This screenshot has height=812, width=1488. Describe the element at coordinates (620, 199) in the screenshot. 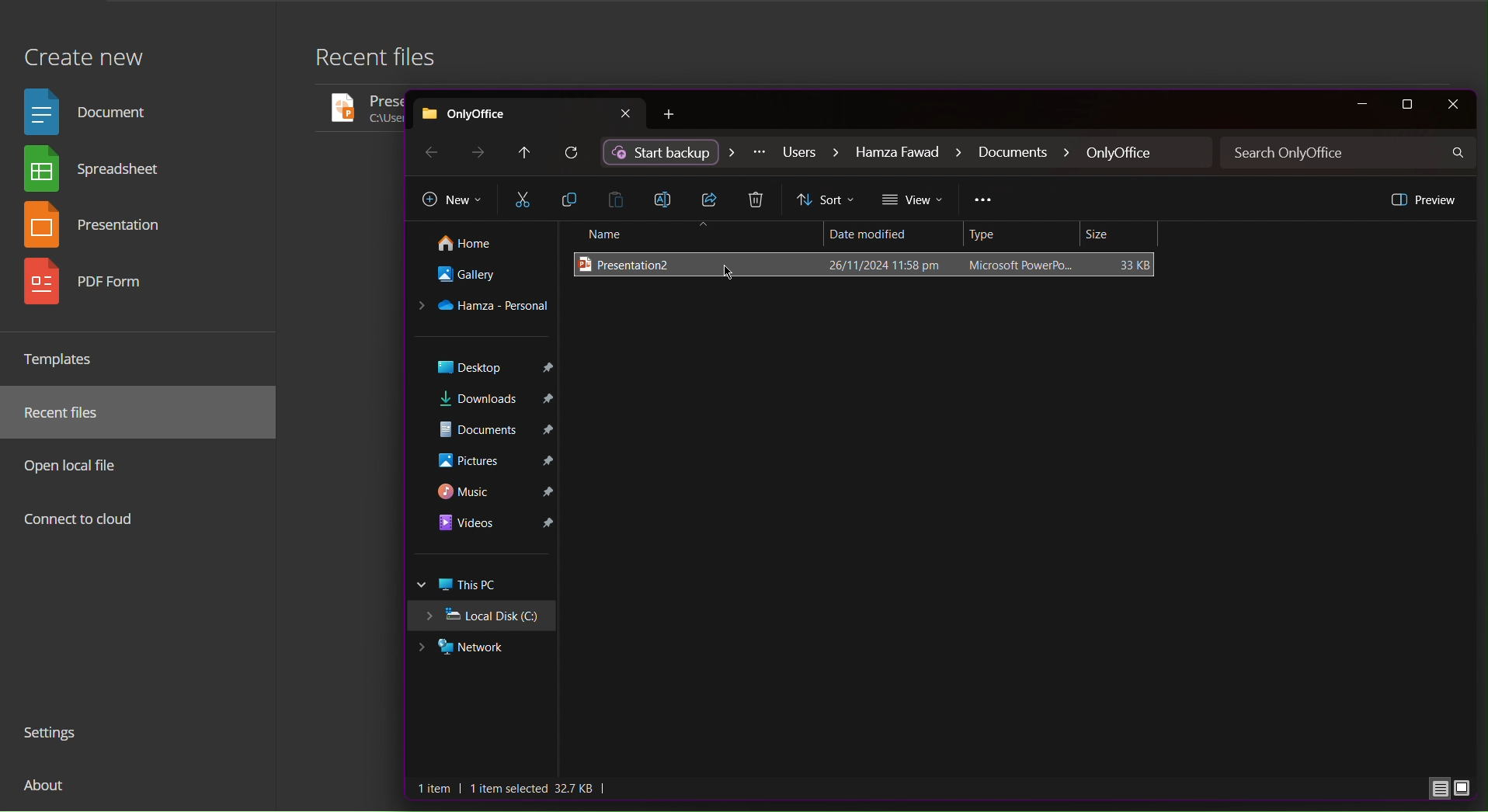

I see `Paste` at that location.